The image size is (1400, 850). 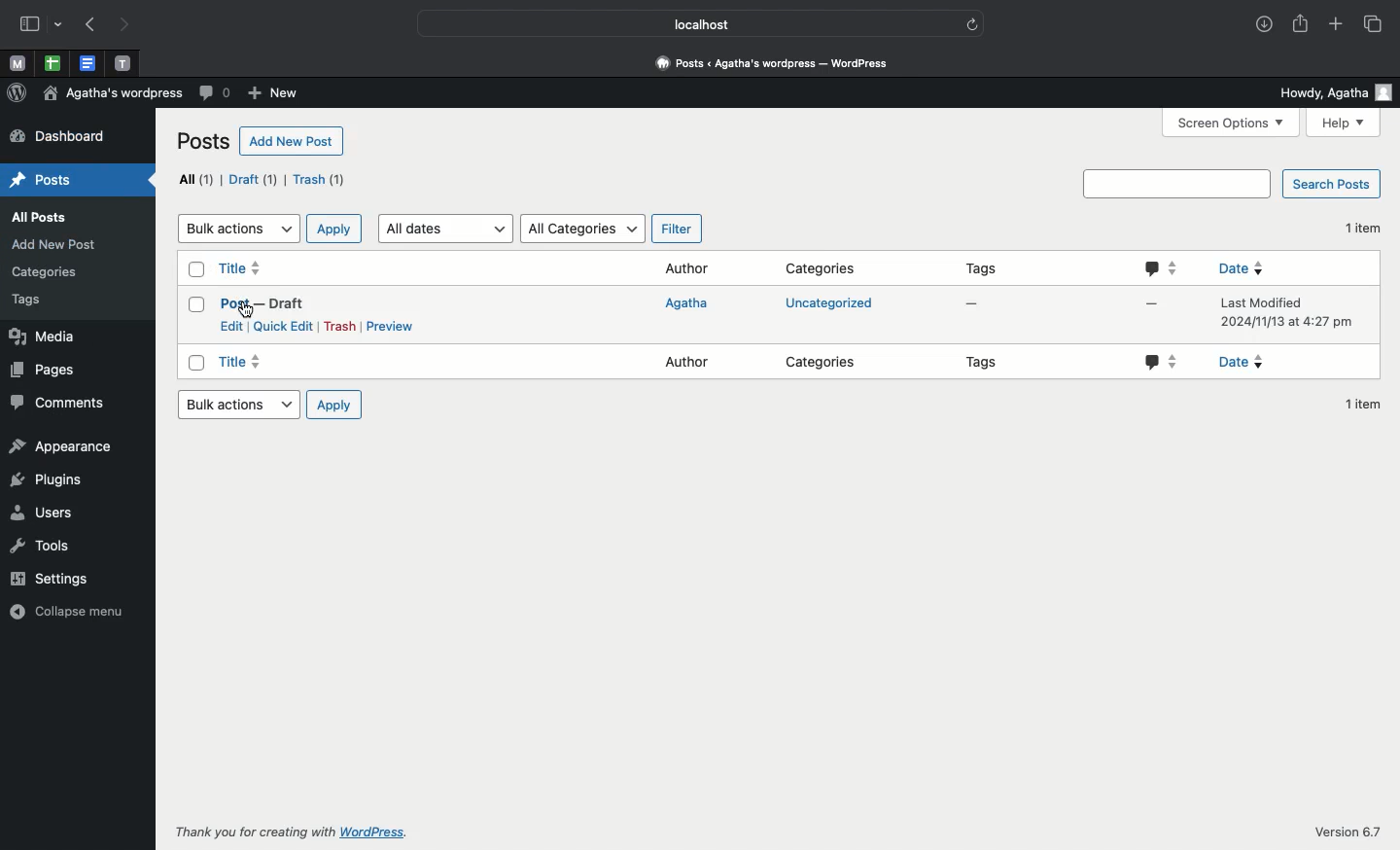 I want to click on Checkbox, so click(x=198, y=268).